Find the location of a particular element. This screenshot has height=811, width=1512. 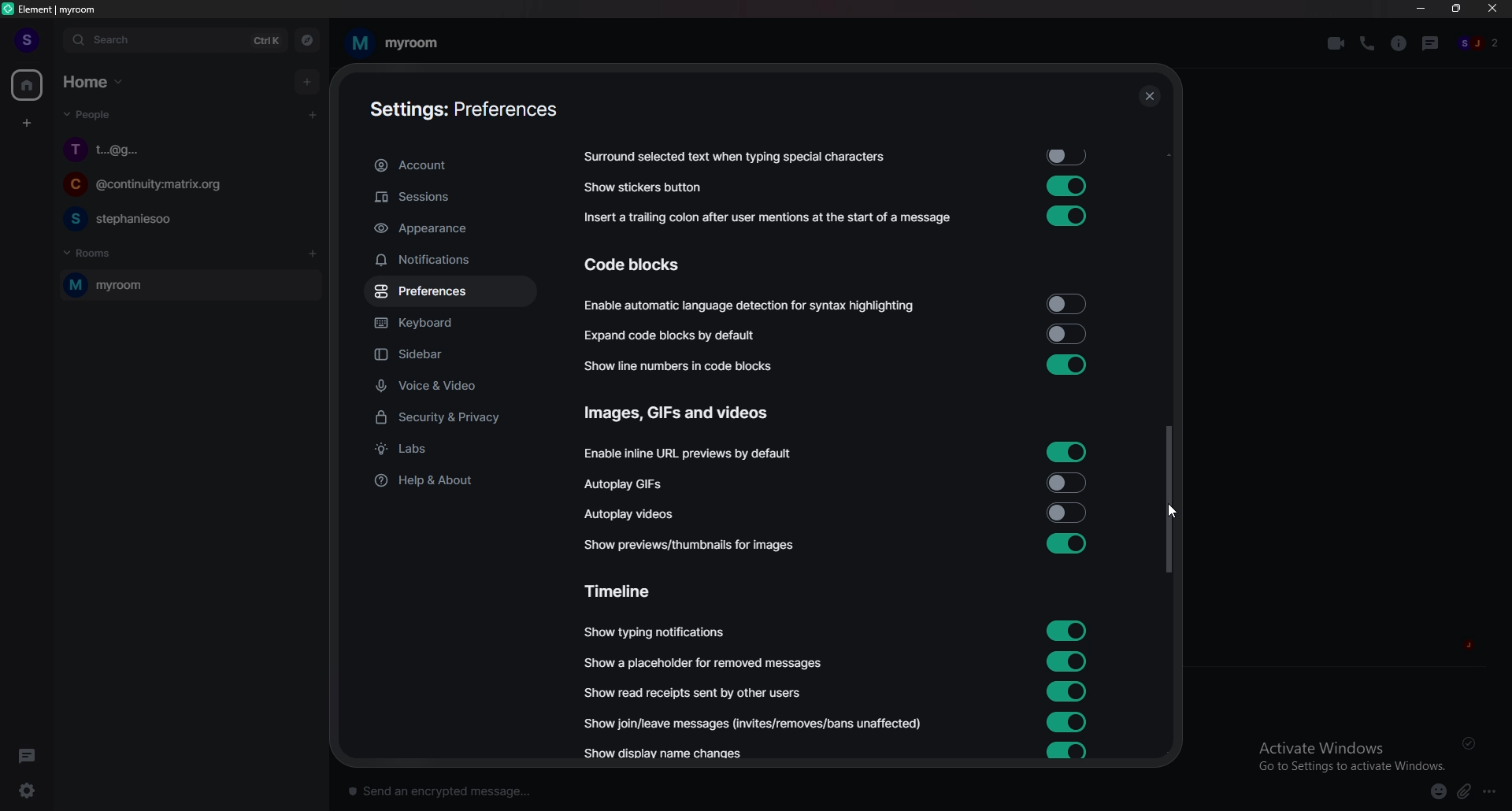

toggle is located at coordinates (1067, 451).